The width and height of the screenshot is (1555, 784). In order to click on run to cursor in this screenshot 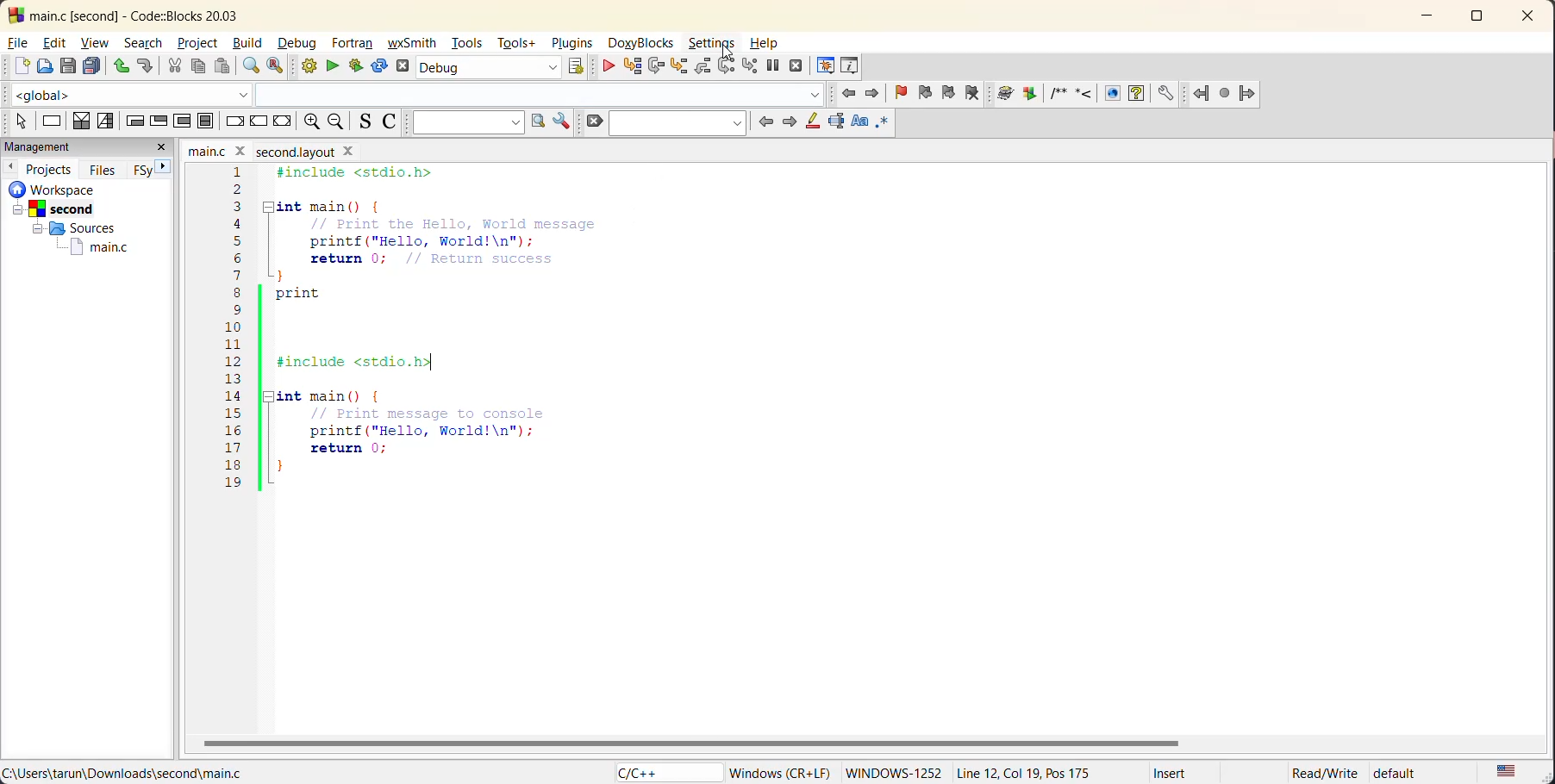, I will do `click(634, 70)`.